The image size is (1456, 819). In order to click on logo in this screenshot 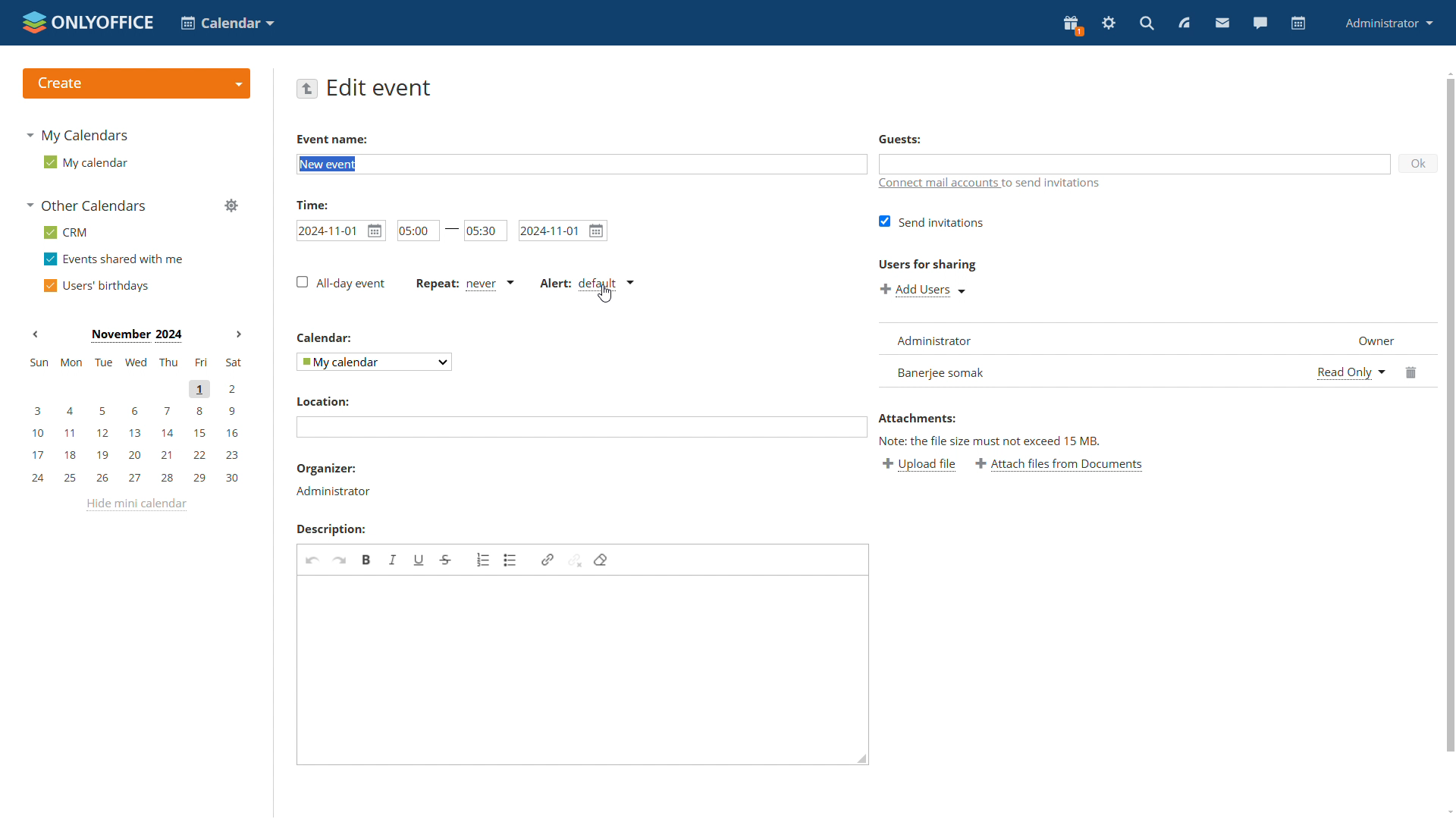, I will do `click(89, 23)`.